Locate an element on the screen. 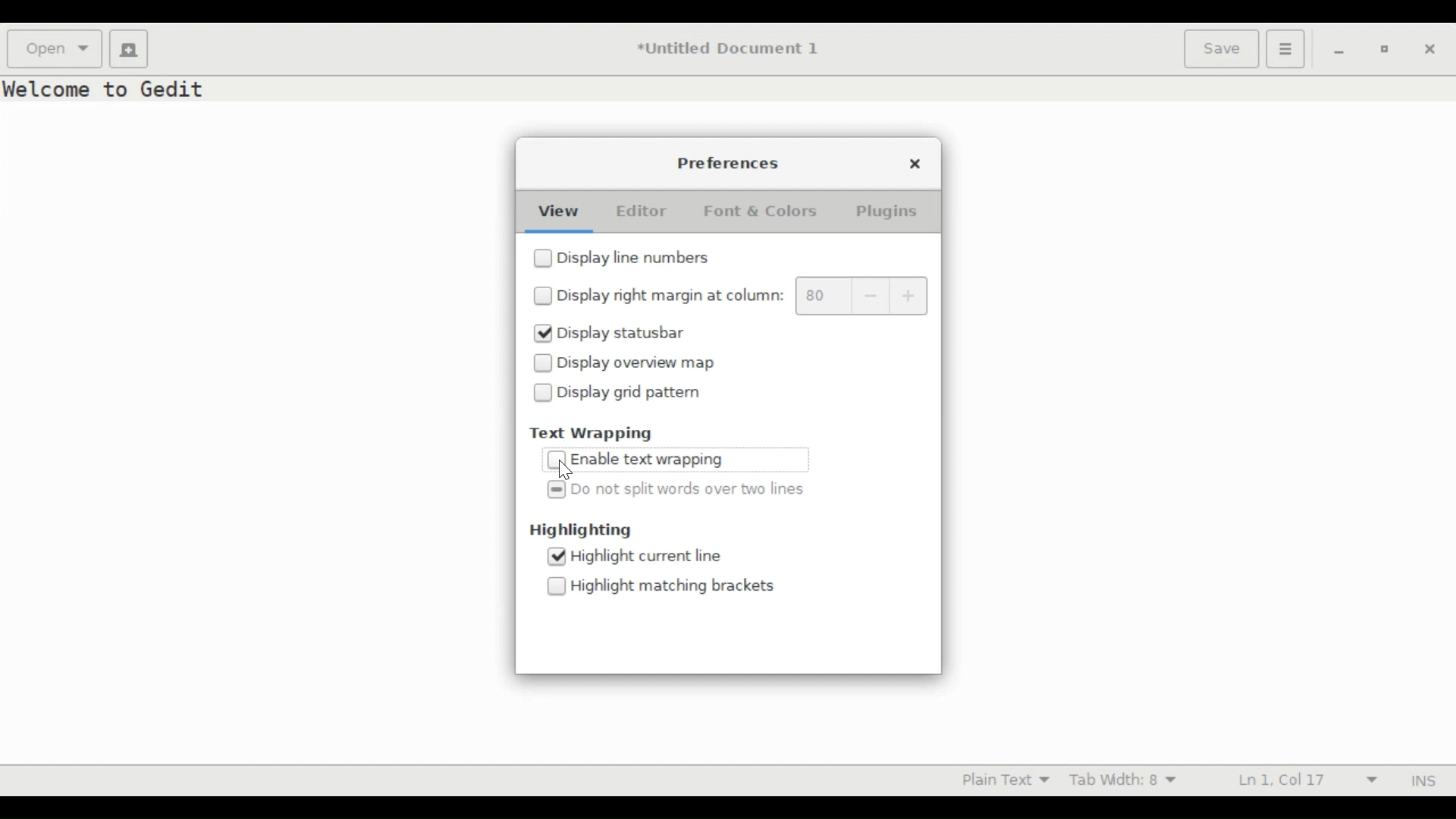 The image size is (1456, 819). checked checkbox is located at coordinates (557, 491).